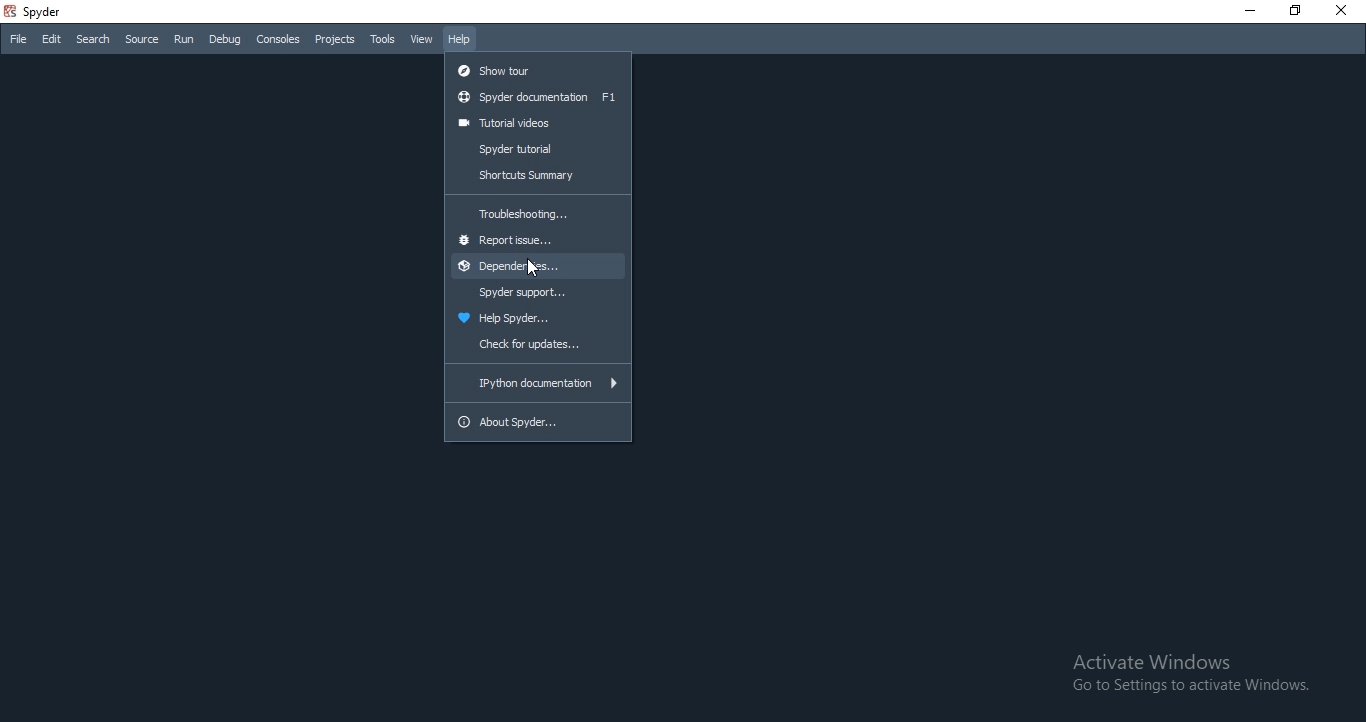  What do you see at coordinates (184, 39) in the screenshot?
I see `Run` at bounding box center [184, 39].